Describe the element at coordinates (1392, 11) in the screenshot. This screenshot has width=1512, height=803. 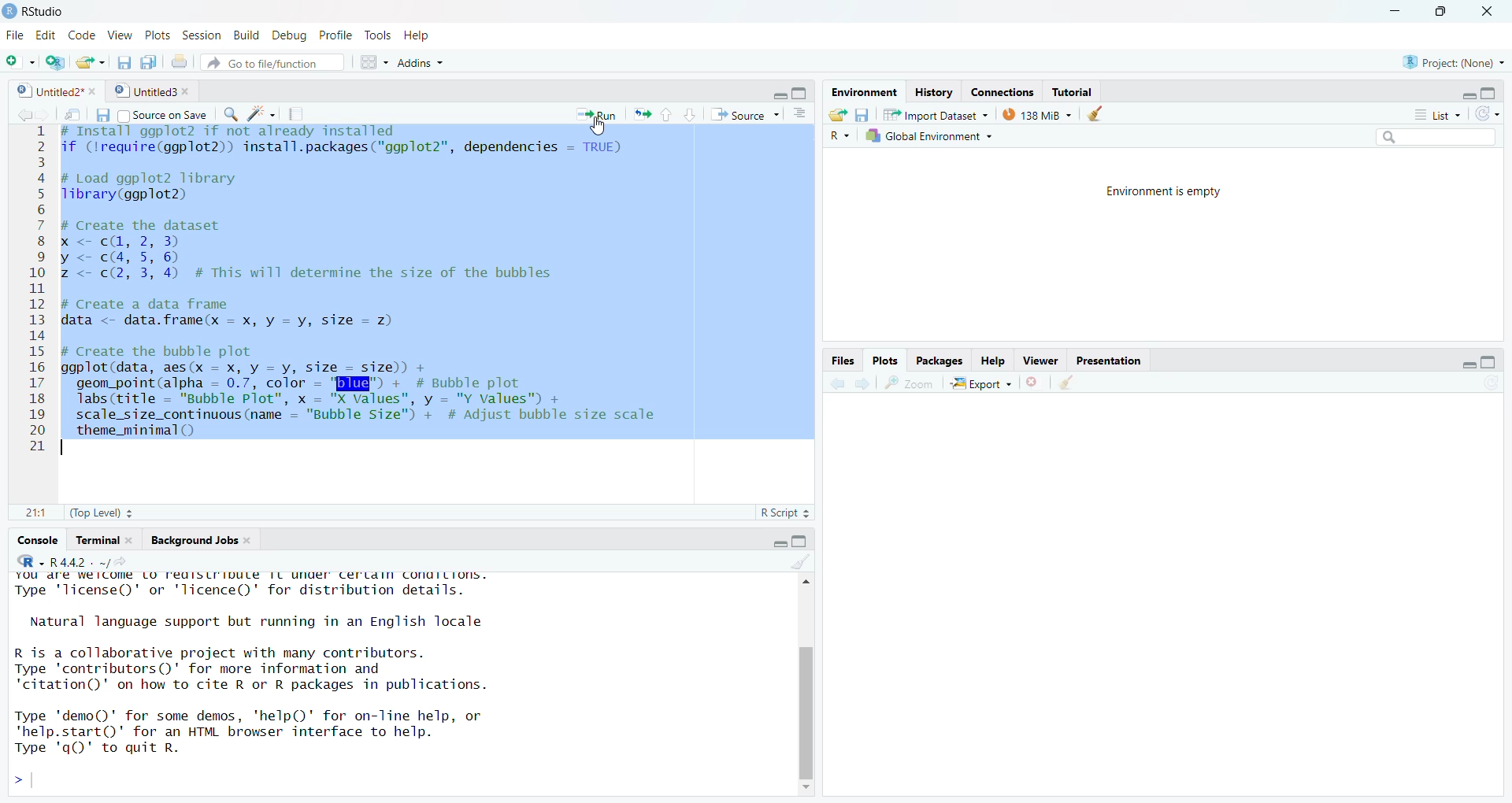
I see `minimize` at that location.